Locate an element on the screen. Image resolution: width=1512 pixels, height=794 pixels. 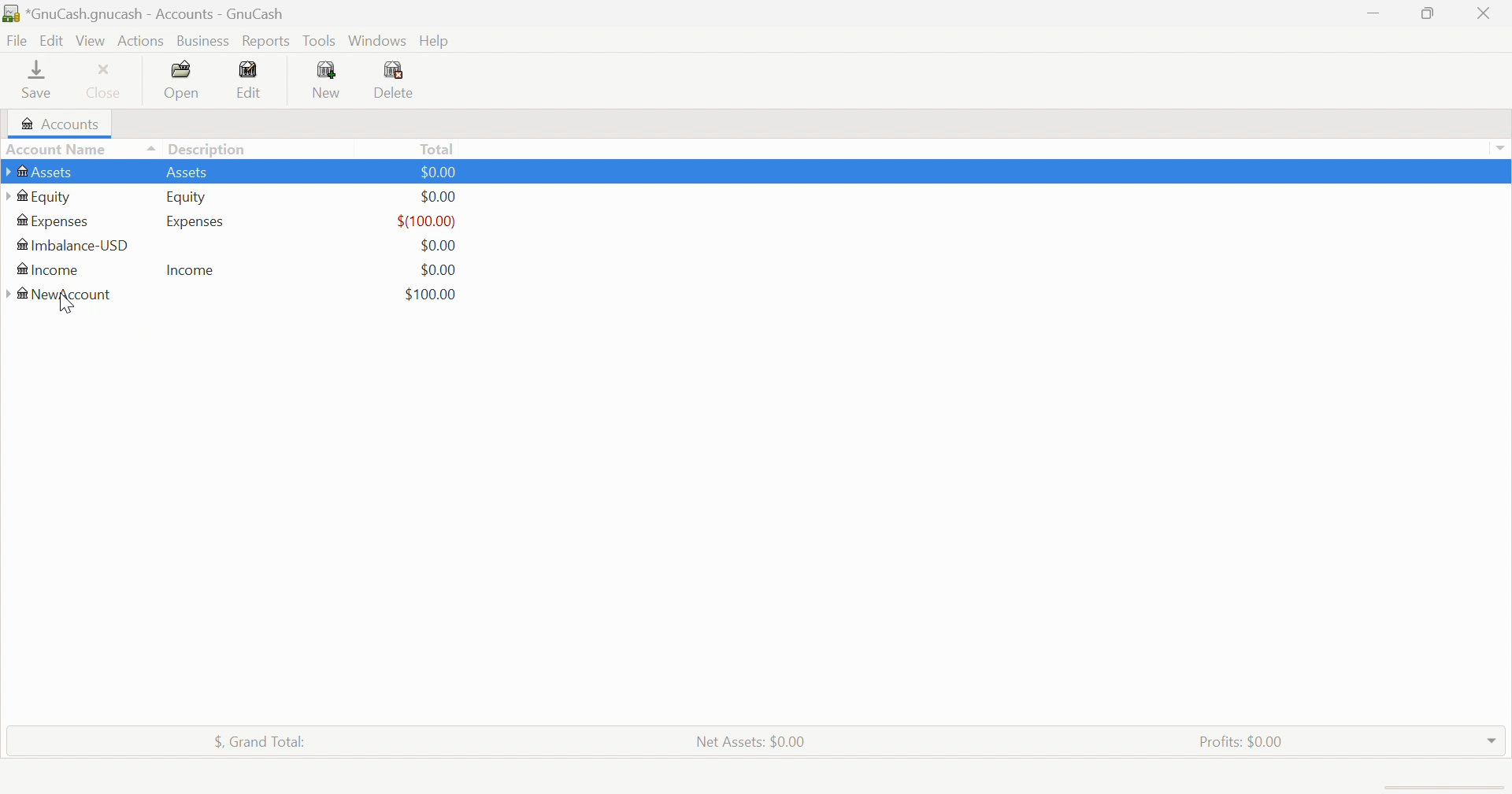
Profits: $0.00 is located at coordinates (1244, 741).